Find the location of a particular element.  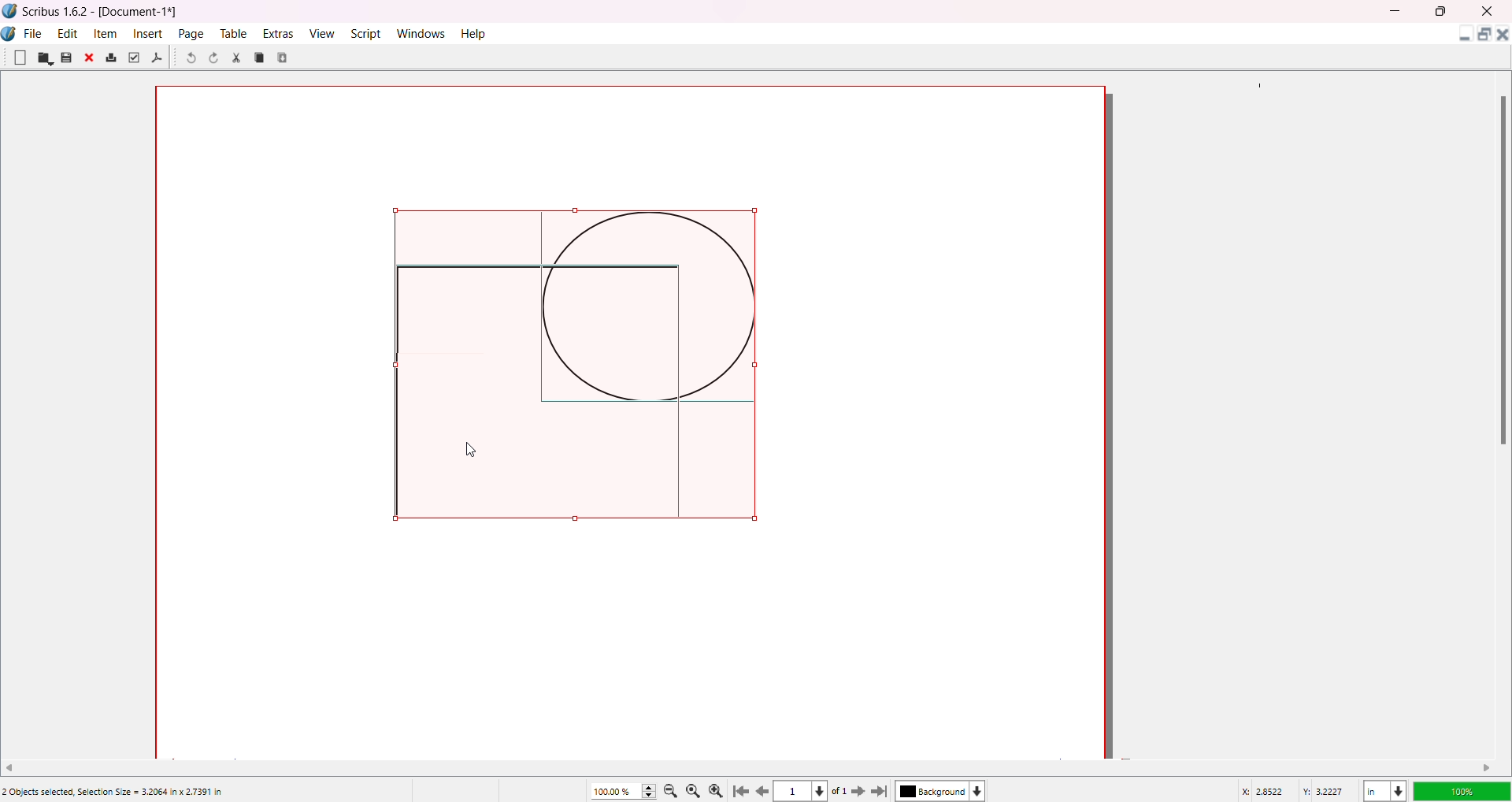

Zoom Increase/Decrease is located at coordinates (651, 789).